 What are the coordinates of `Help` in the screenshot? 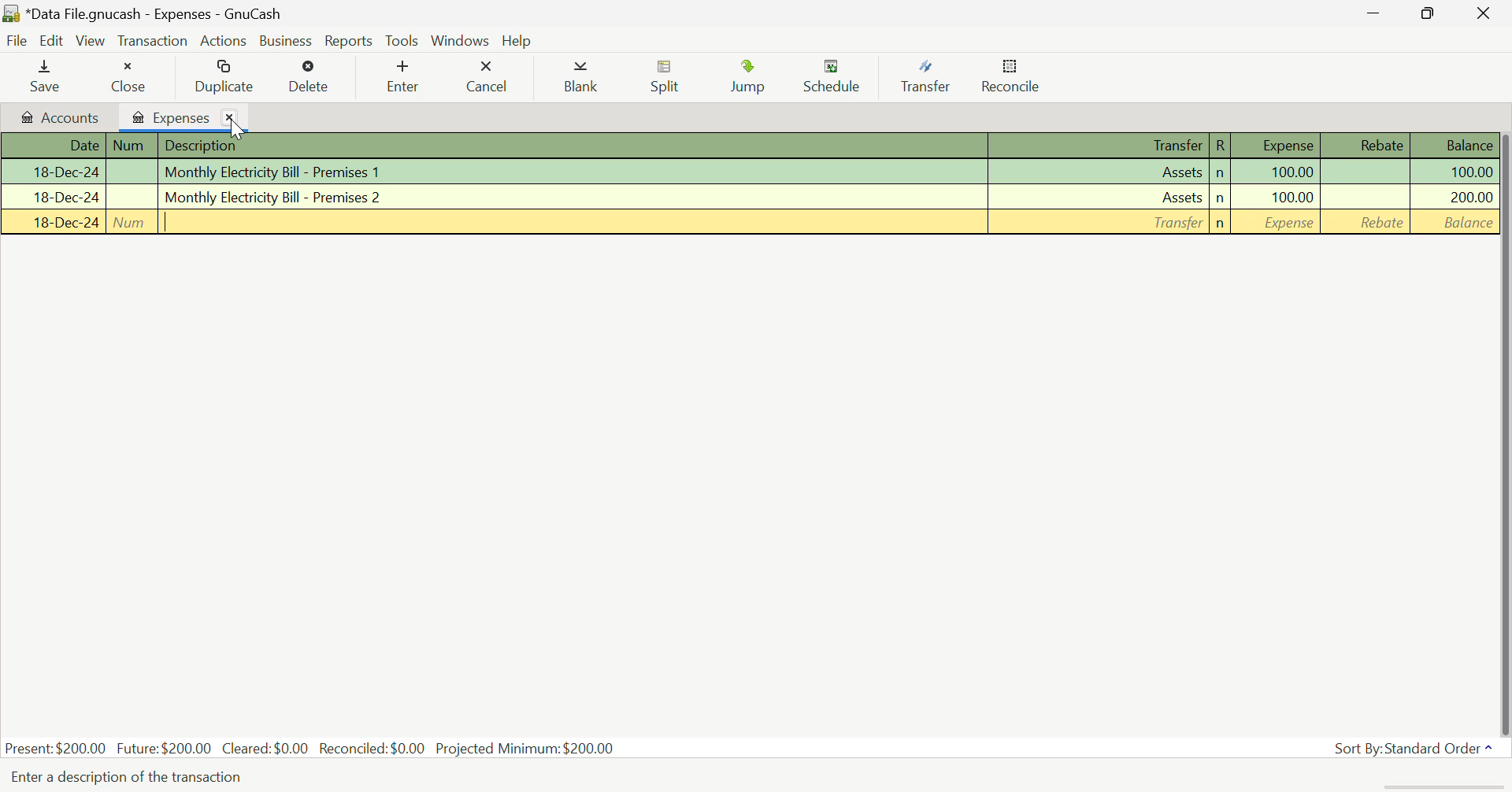 It's located at (519, 40).